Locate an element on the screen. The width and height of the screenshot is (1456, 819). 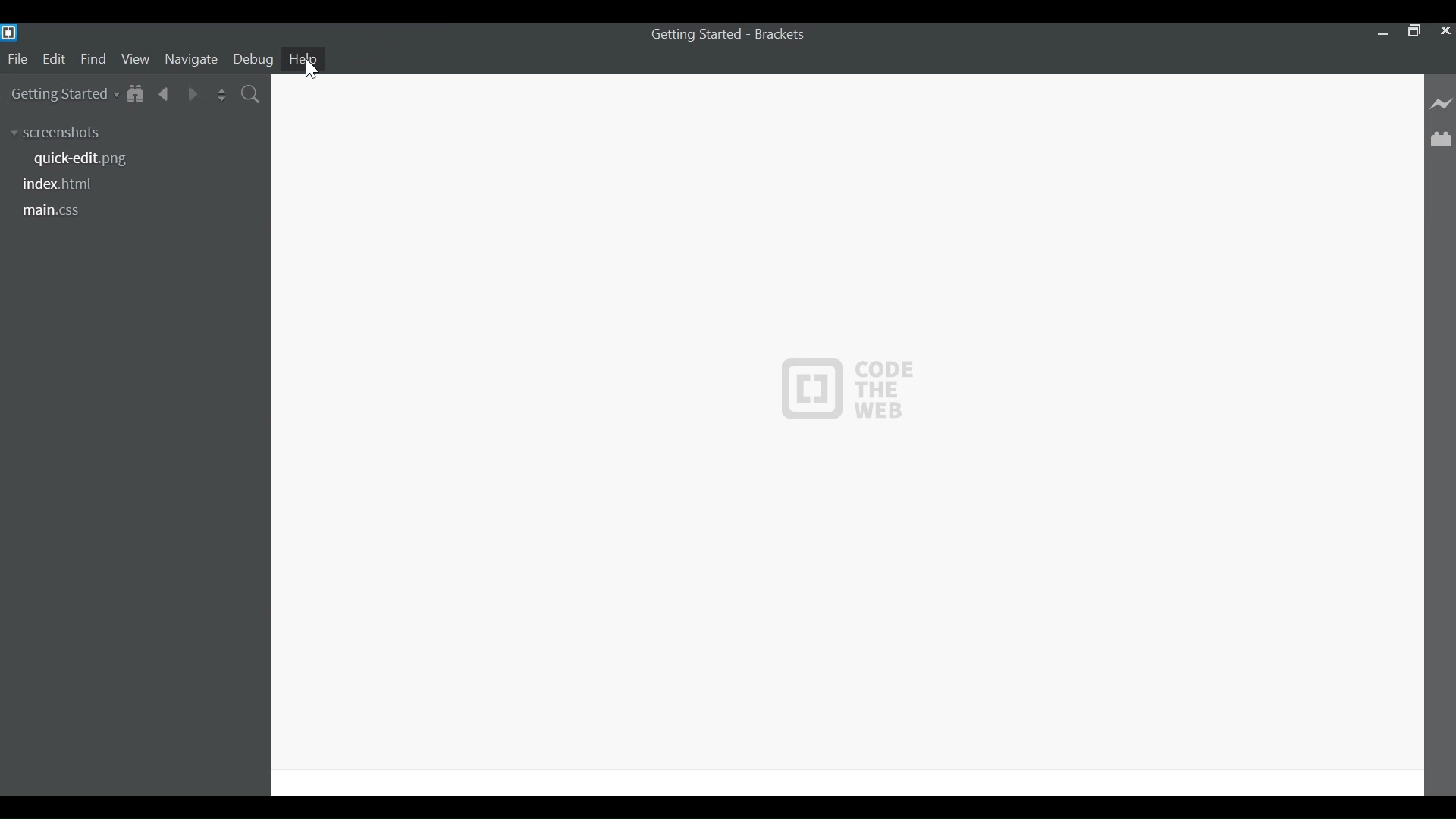
screenshots is located at coordinates (61, 132).